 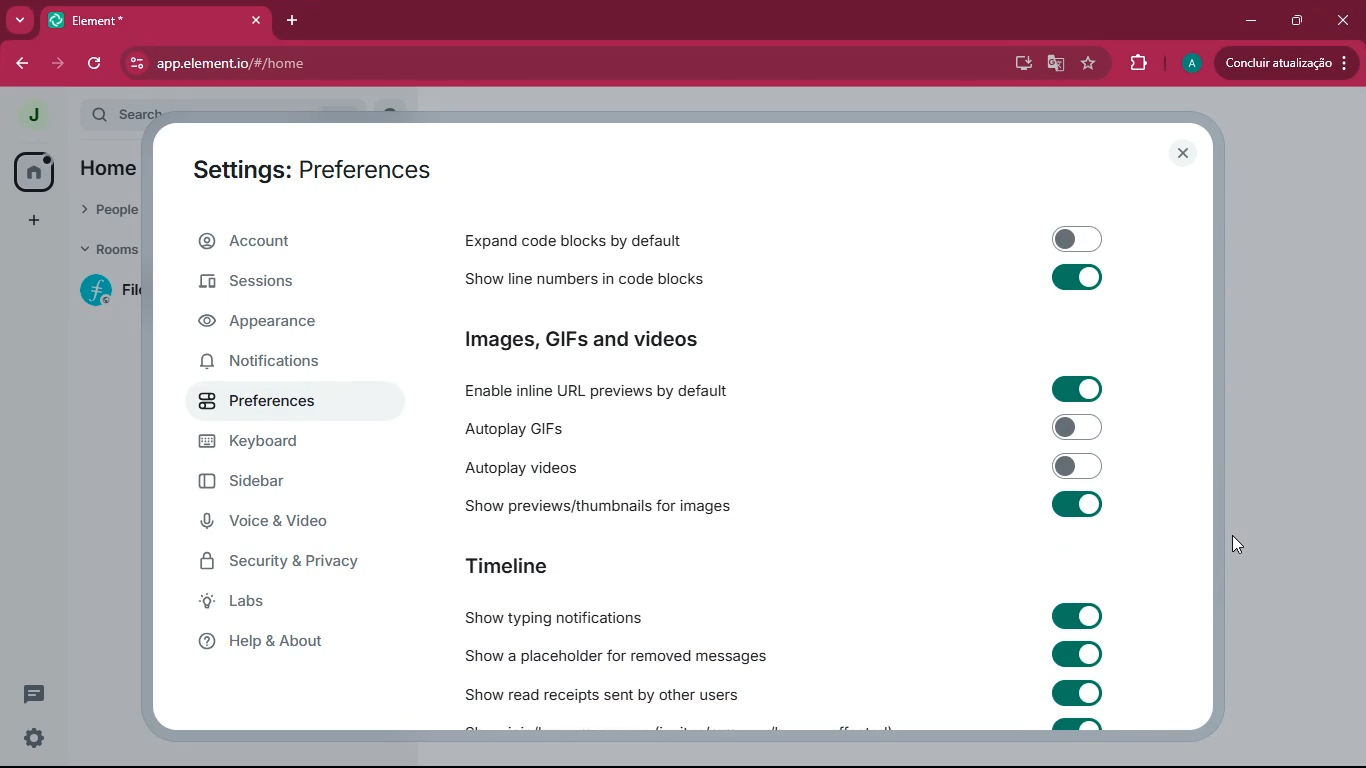 What do you see at coordinates (284, 642) in the screenshot?
I see `help & about` at bounding box center [284, 642].